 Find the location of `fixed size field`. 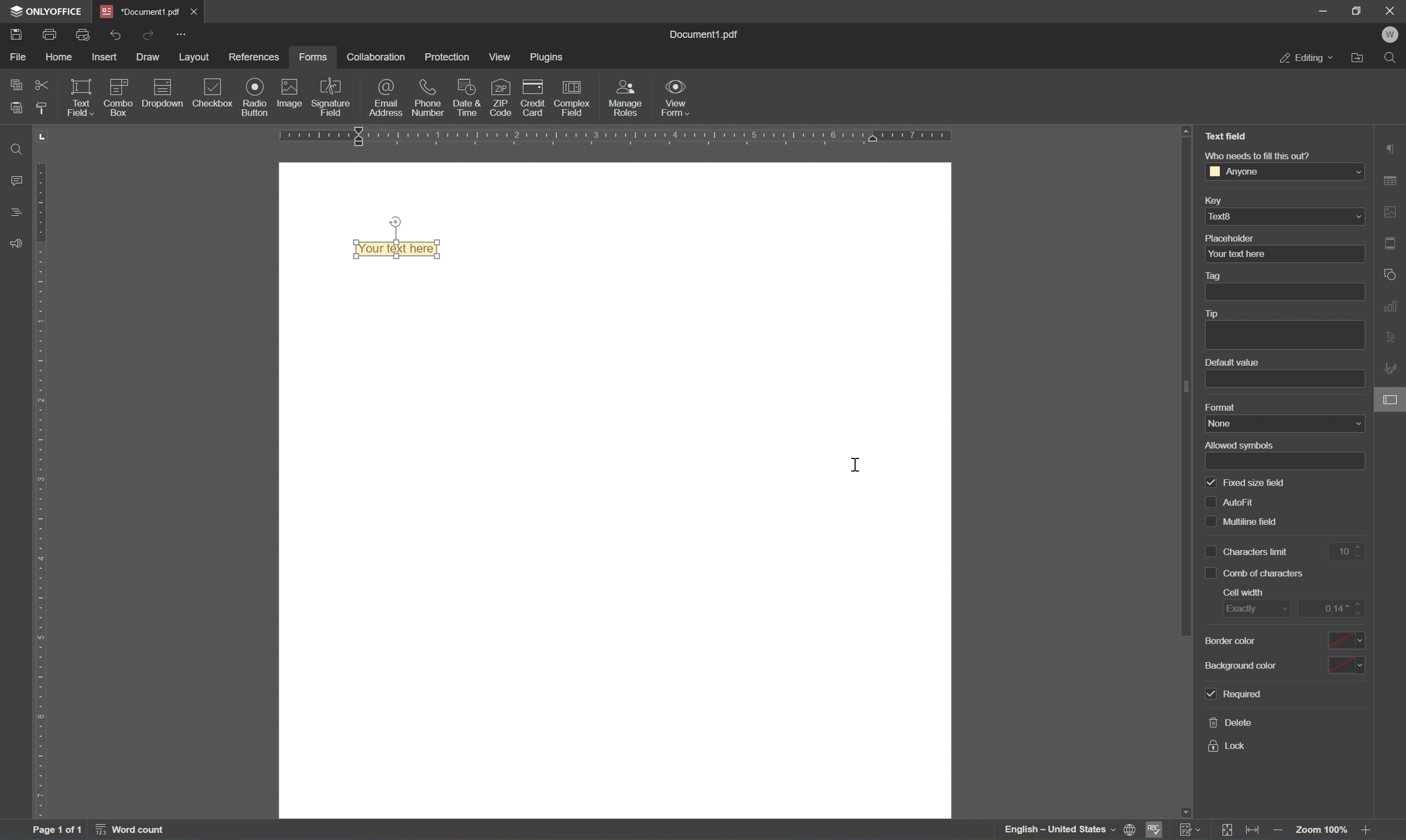

fixed size field is located at coordinates (1246, 483).